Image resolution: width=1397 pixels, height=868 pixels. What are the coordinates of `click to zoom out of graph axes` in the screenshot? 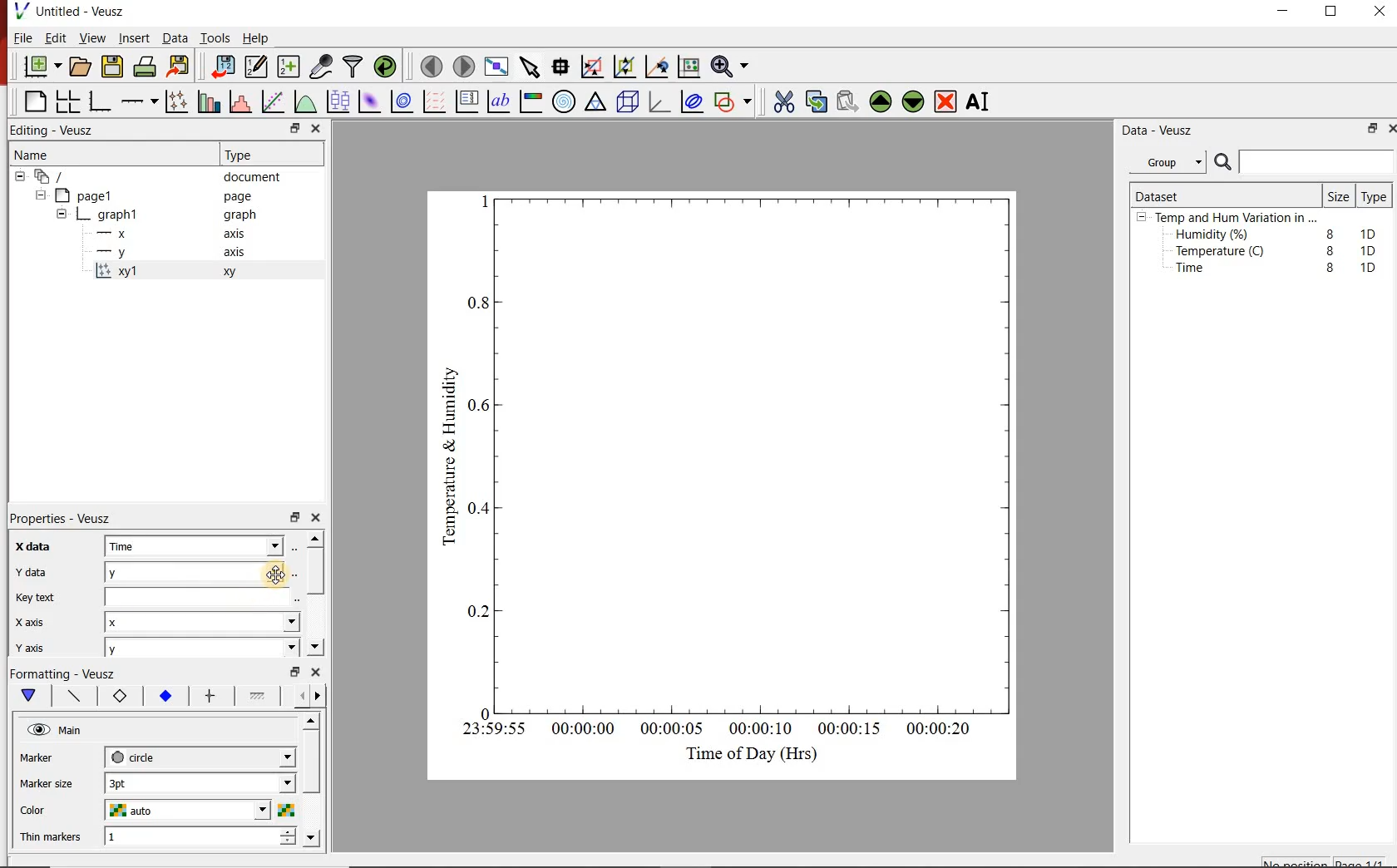 It's located at (625, 68).